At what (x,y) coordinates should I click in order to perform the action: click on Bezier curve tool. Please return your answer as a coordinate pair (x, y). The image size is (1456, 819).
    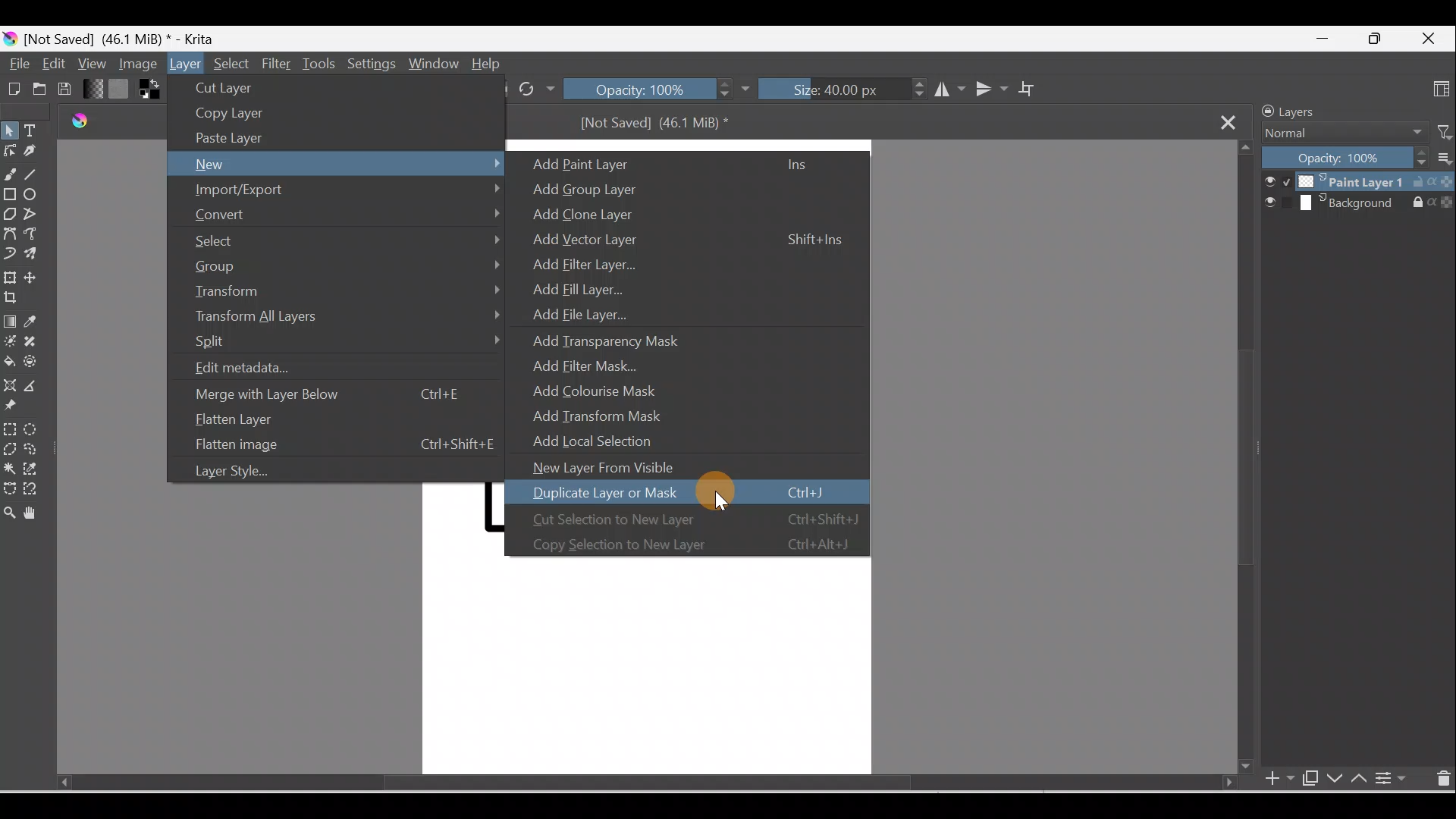
    Looking at the image, I should click on (12, 234).